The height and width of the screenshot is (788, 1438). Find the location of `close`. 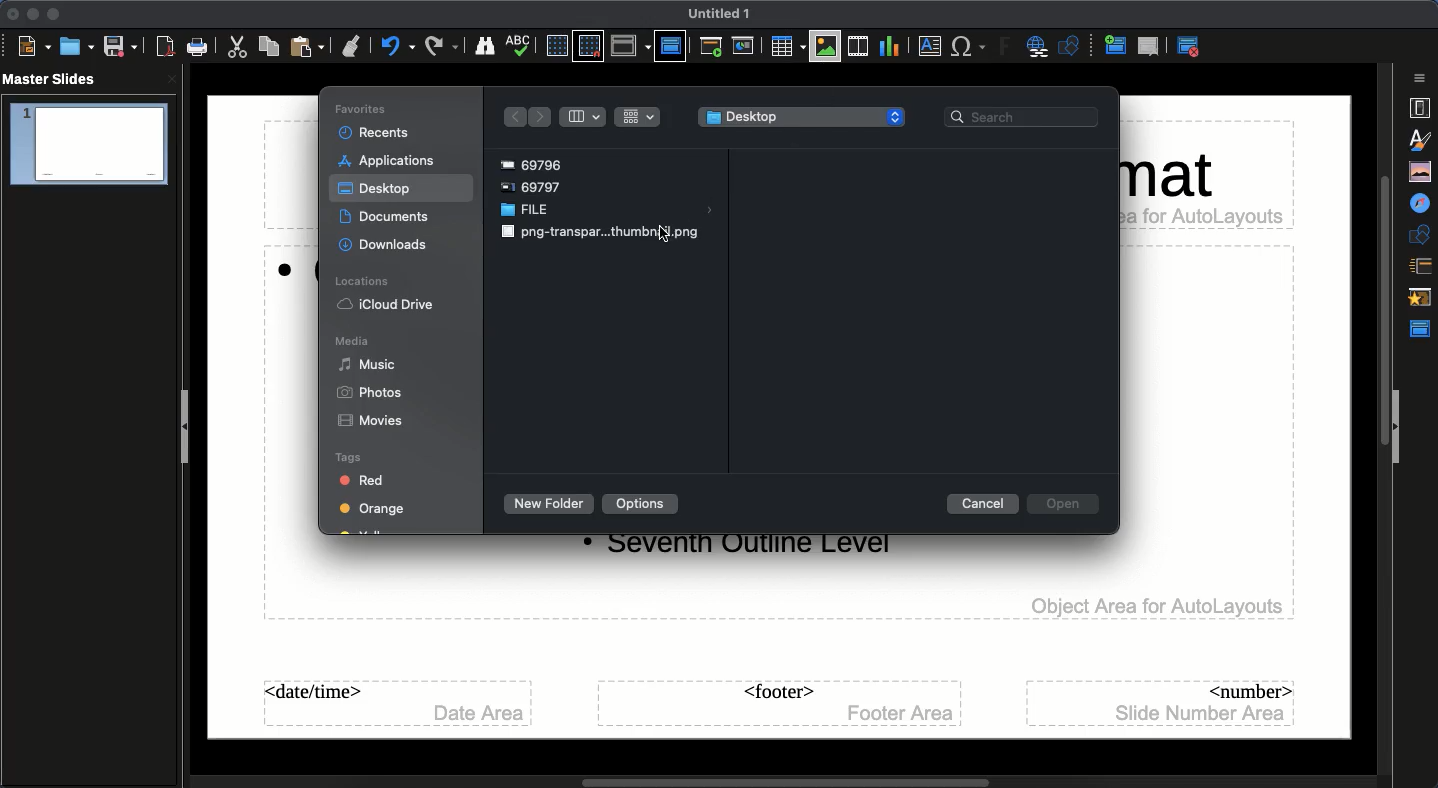

close is located at coordinates (172, 79).